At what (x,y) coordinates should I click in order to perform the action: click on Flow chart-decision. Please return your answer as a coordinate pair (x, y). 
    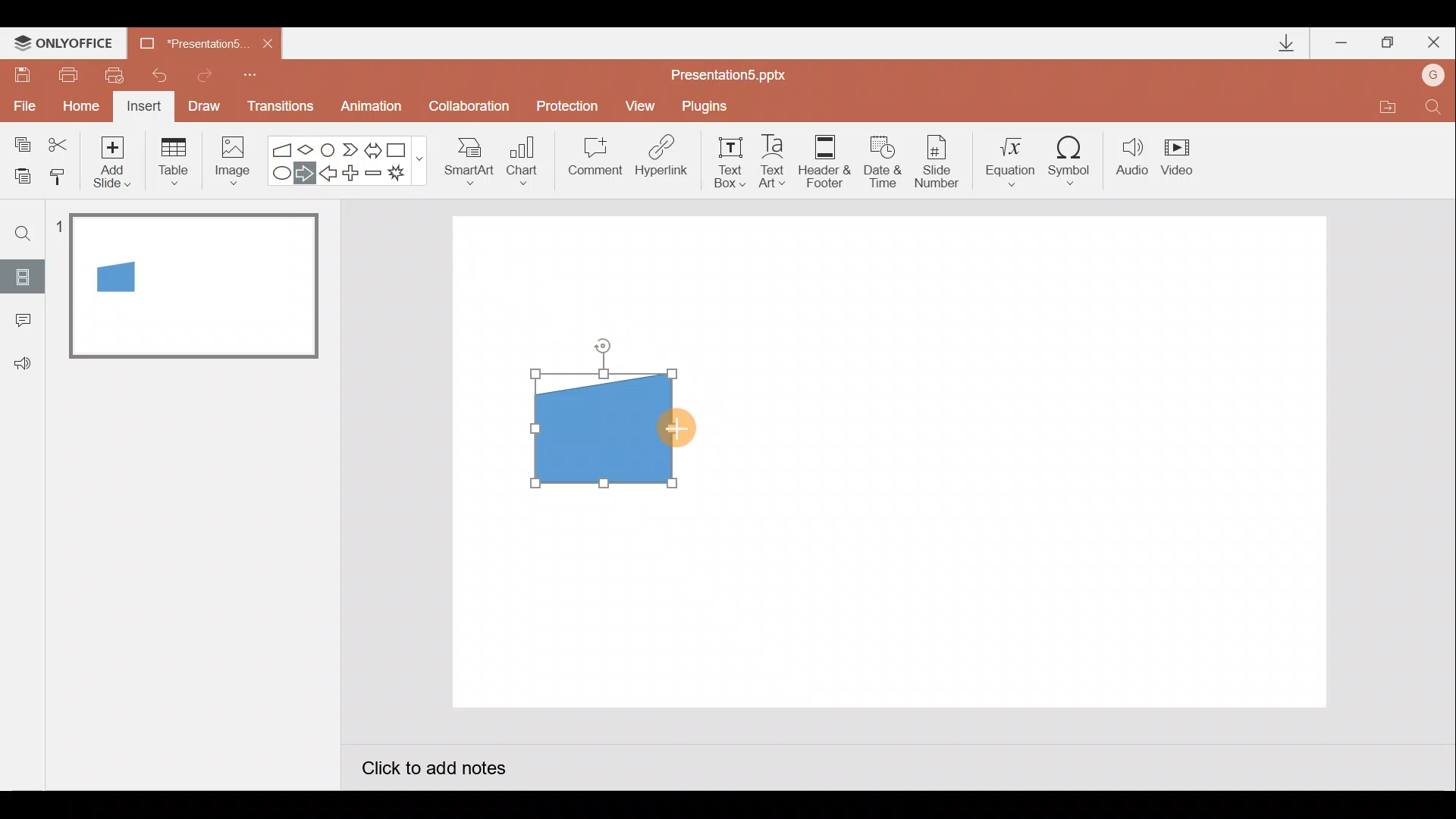
    Looking at the image, I should click on (308, 149).